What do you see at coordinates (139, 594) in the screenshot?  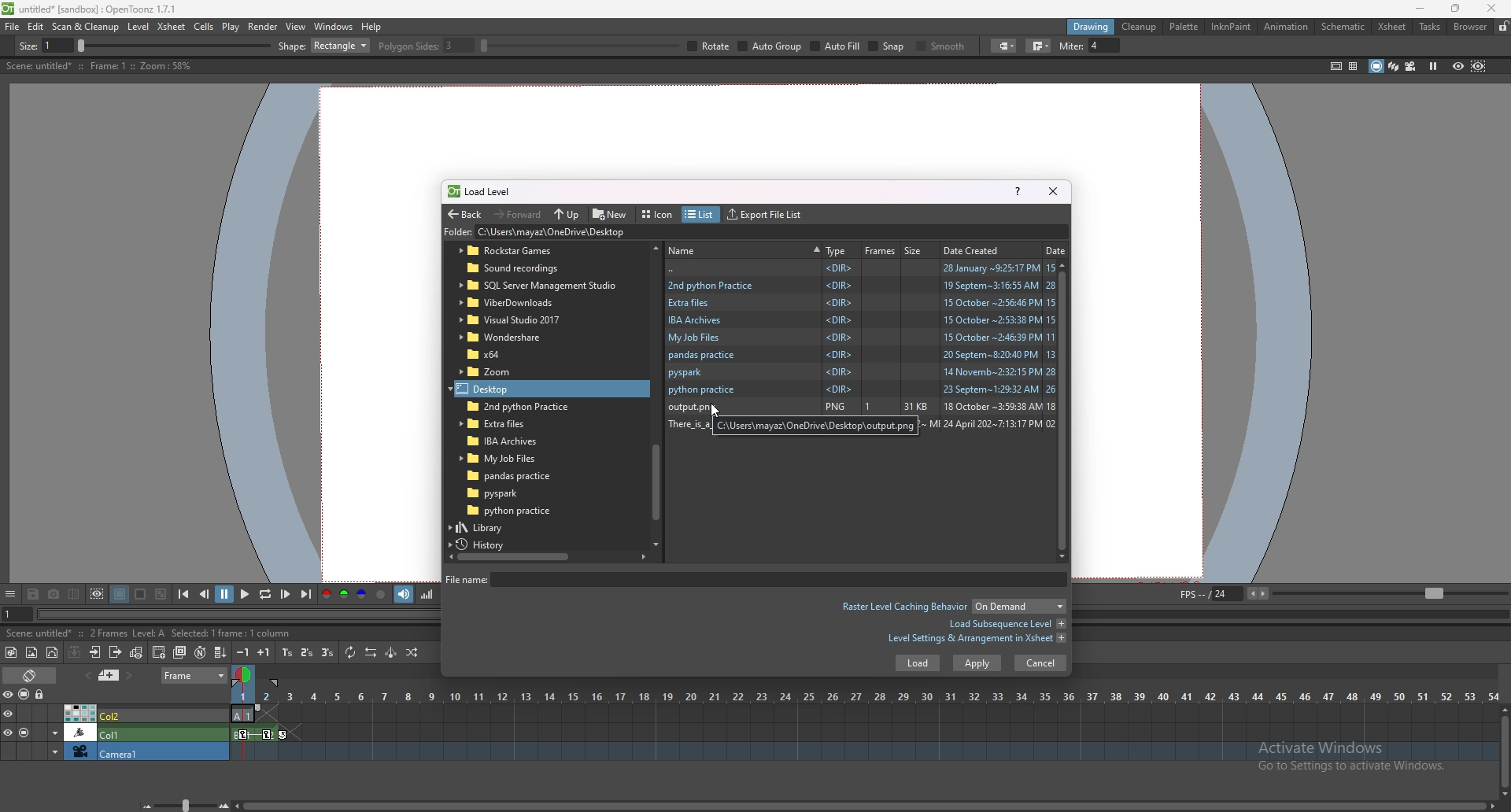 I see `white background` at bounding box center [139, 594].